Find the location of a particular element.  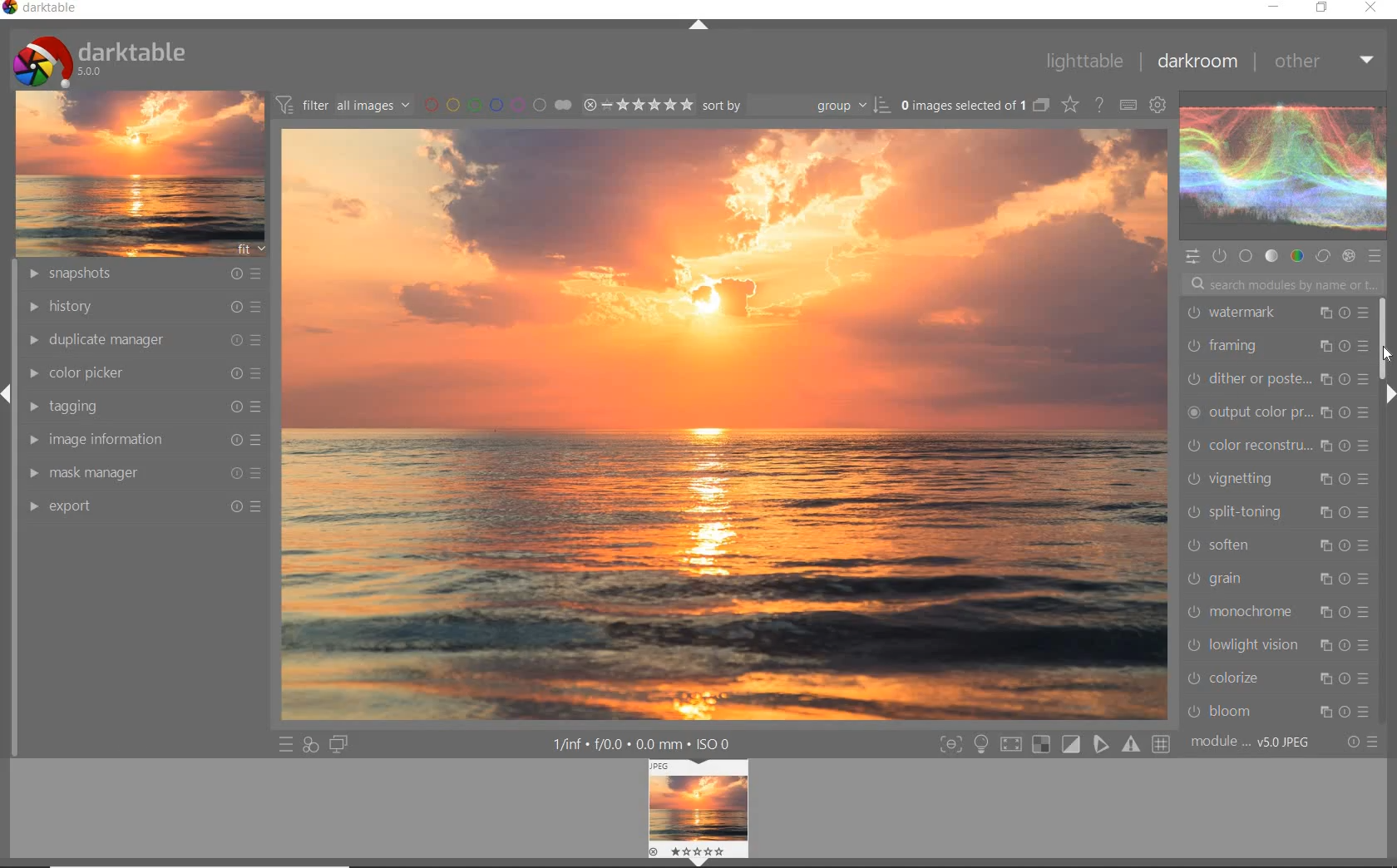

SOFTEN is located at coordinates (1279, 546).